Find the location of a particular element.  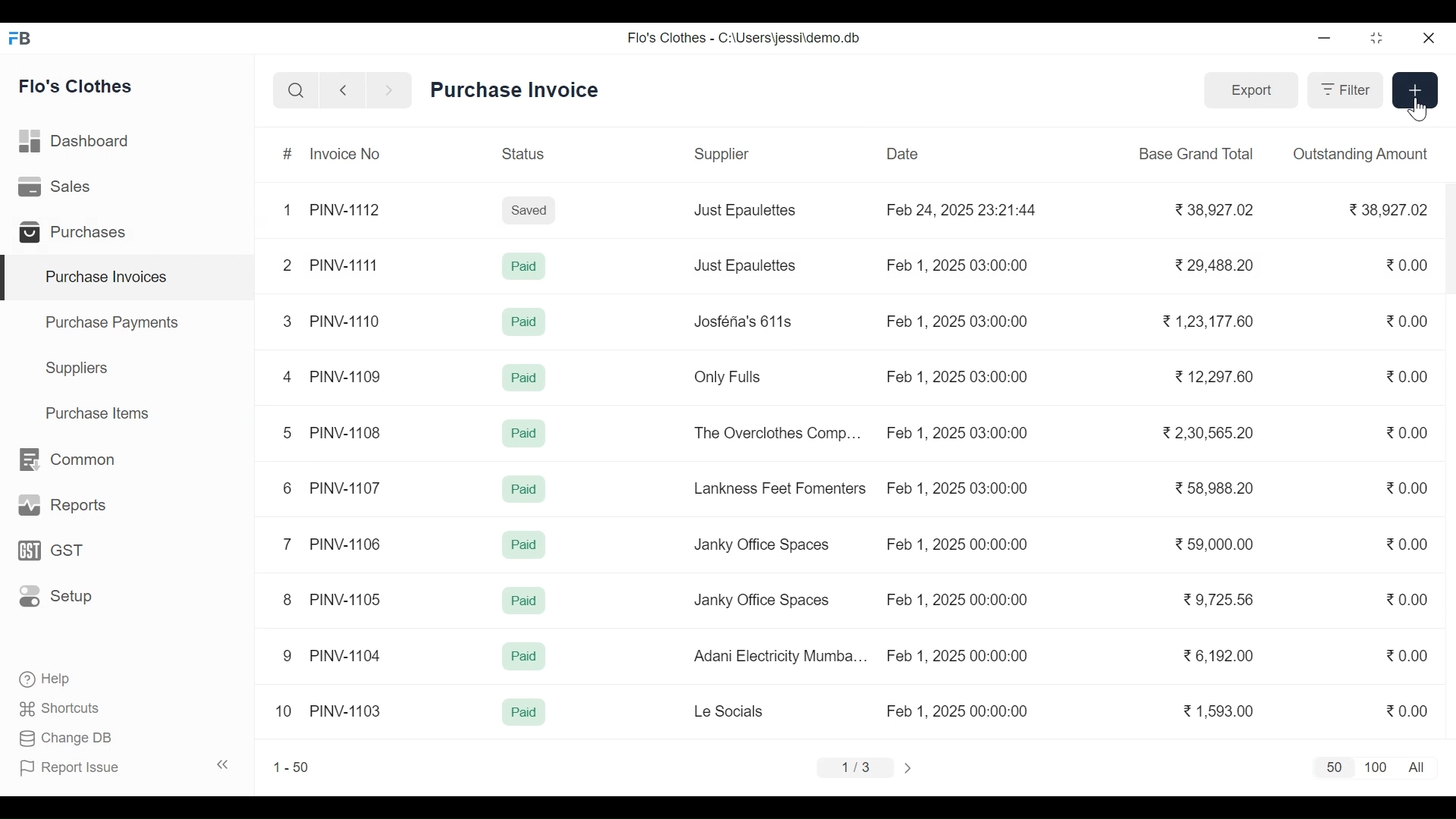

6,192.00 is located at coordinates (1222, 657).